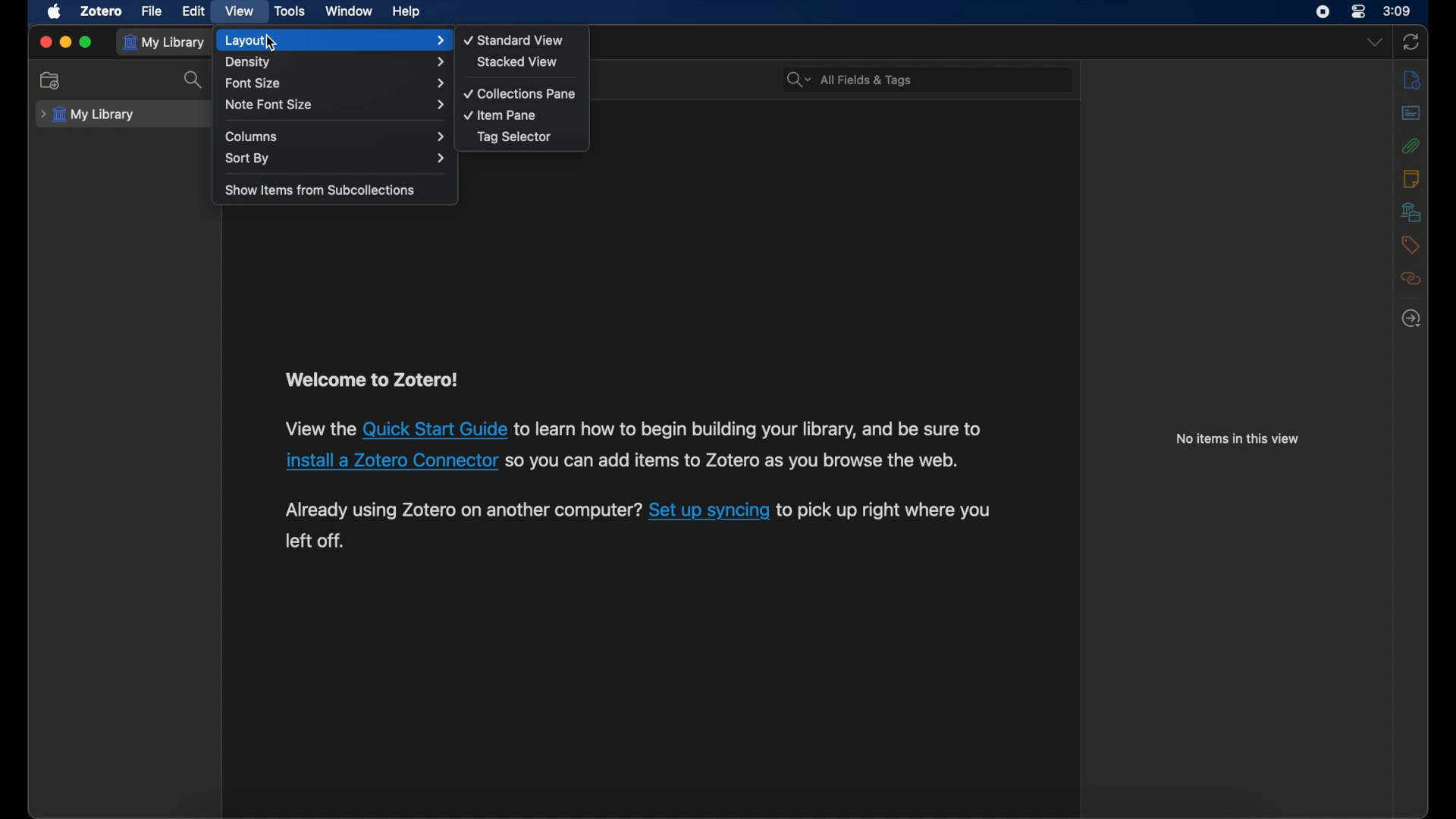 This screenshot has height=819, width=1456. What do you see at coordinates (1411, 318) in the screenshot?
I see `locate` at bounding box center [1411, 318].